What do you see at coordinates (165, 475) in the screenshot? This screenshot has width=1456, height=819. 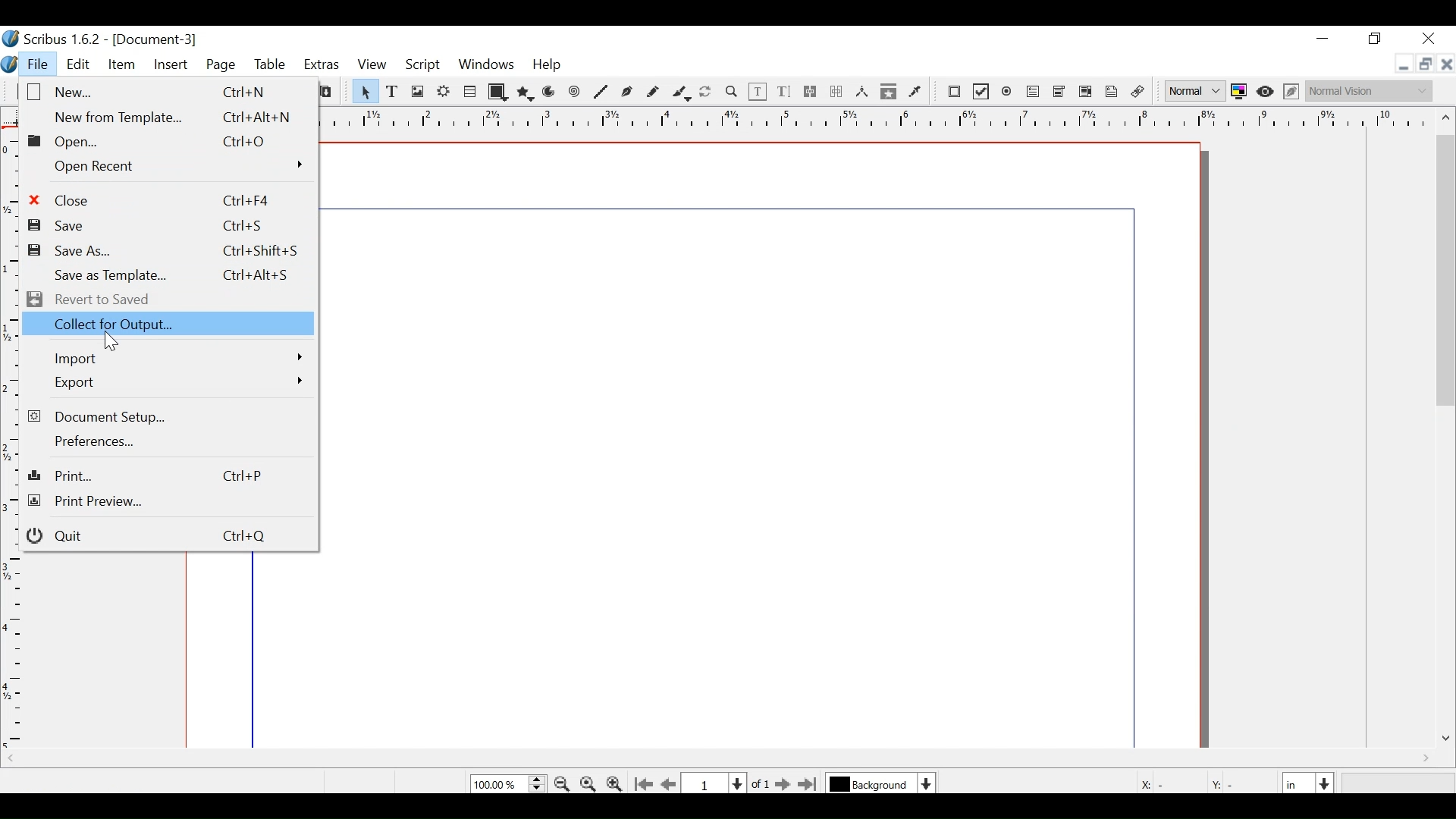 I see `Print` at bounding box center [165, 475].